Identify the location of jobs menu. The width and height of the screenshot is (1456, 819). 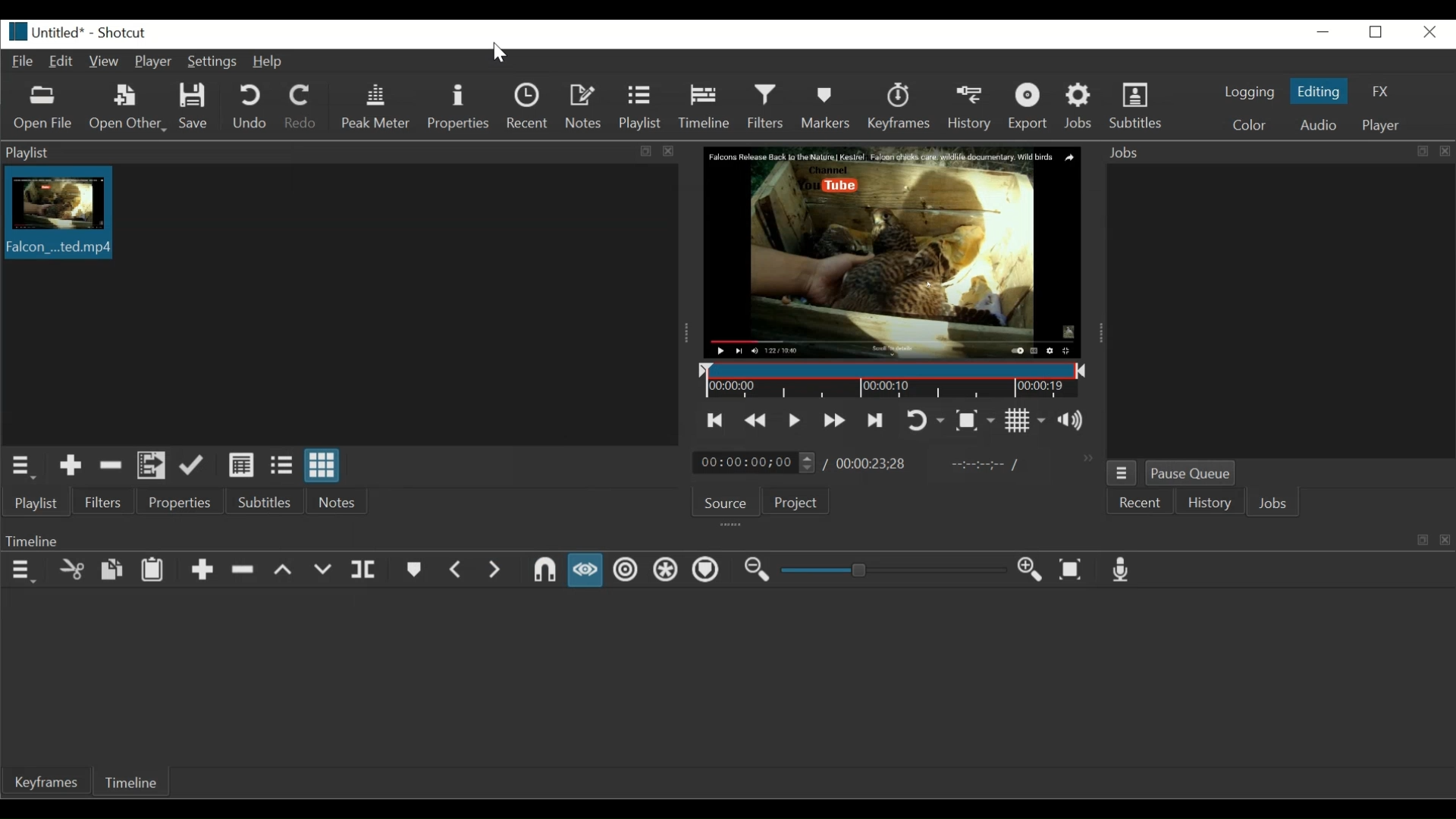
(1122, 473).